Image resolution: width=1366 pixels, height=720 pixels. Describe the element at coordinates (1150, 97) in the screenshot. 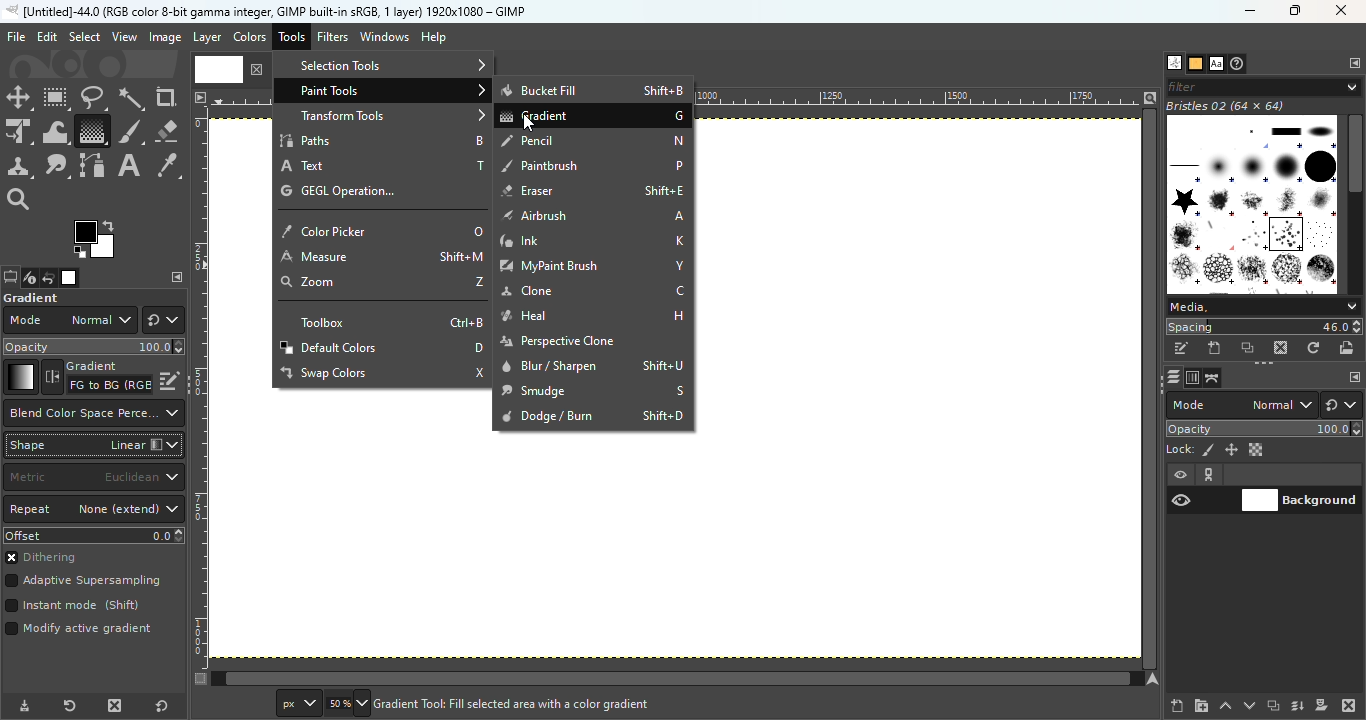

I see `Zoom image when window size changes` at that location.